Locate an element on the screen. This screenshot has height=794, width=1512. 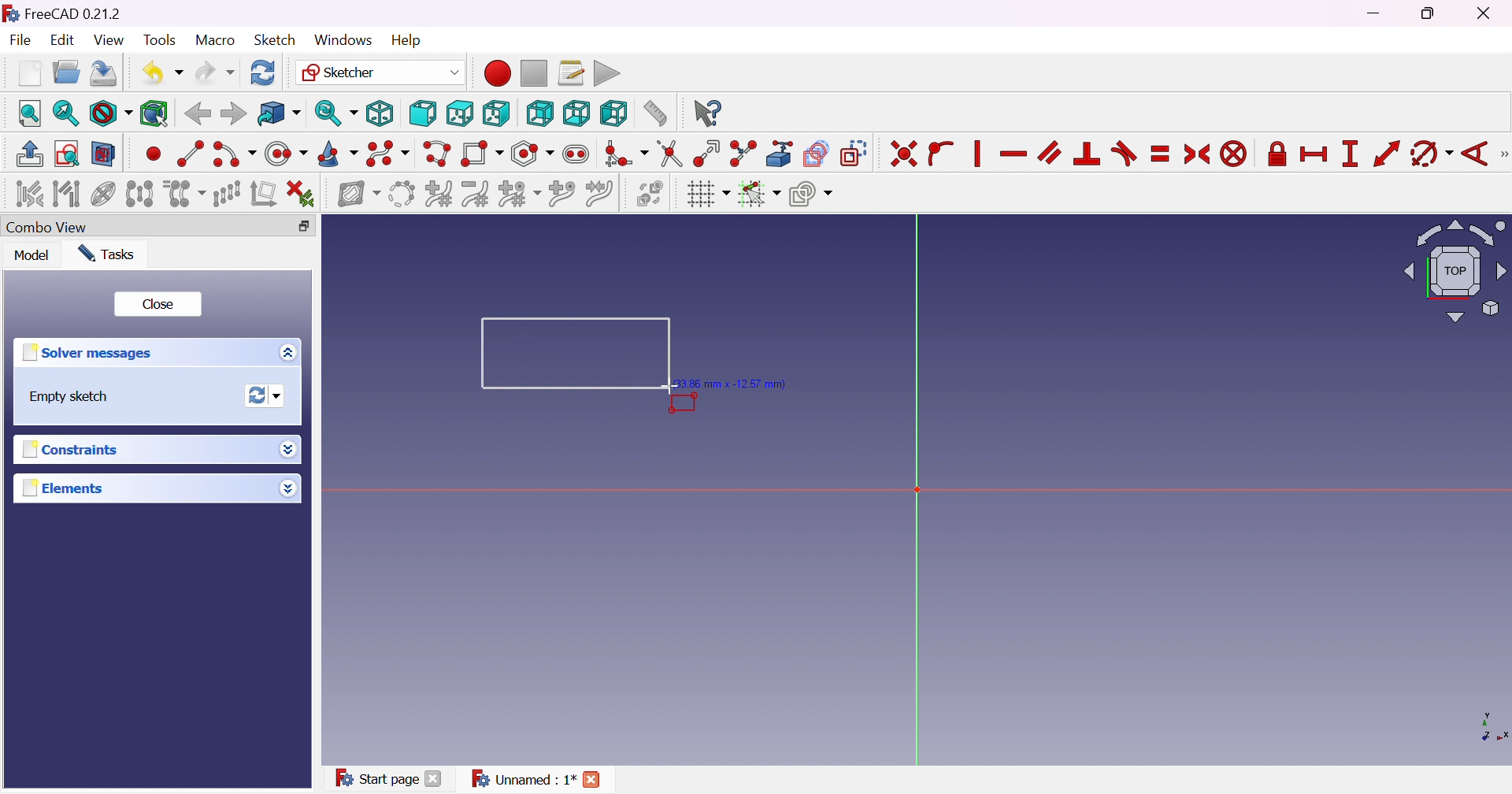
Select associated constraints is located at coordinates (29, 193).